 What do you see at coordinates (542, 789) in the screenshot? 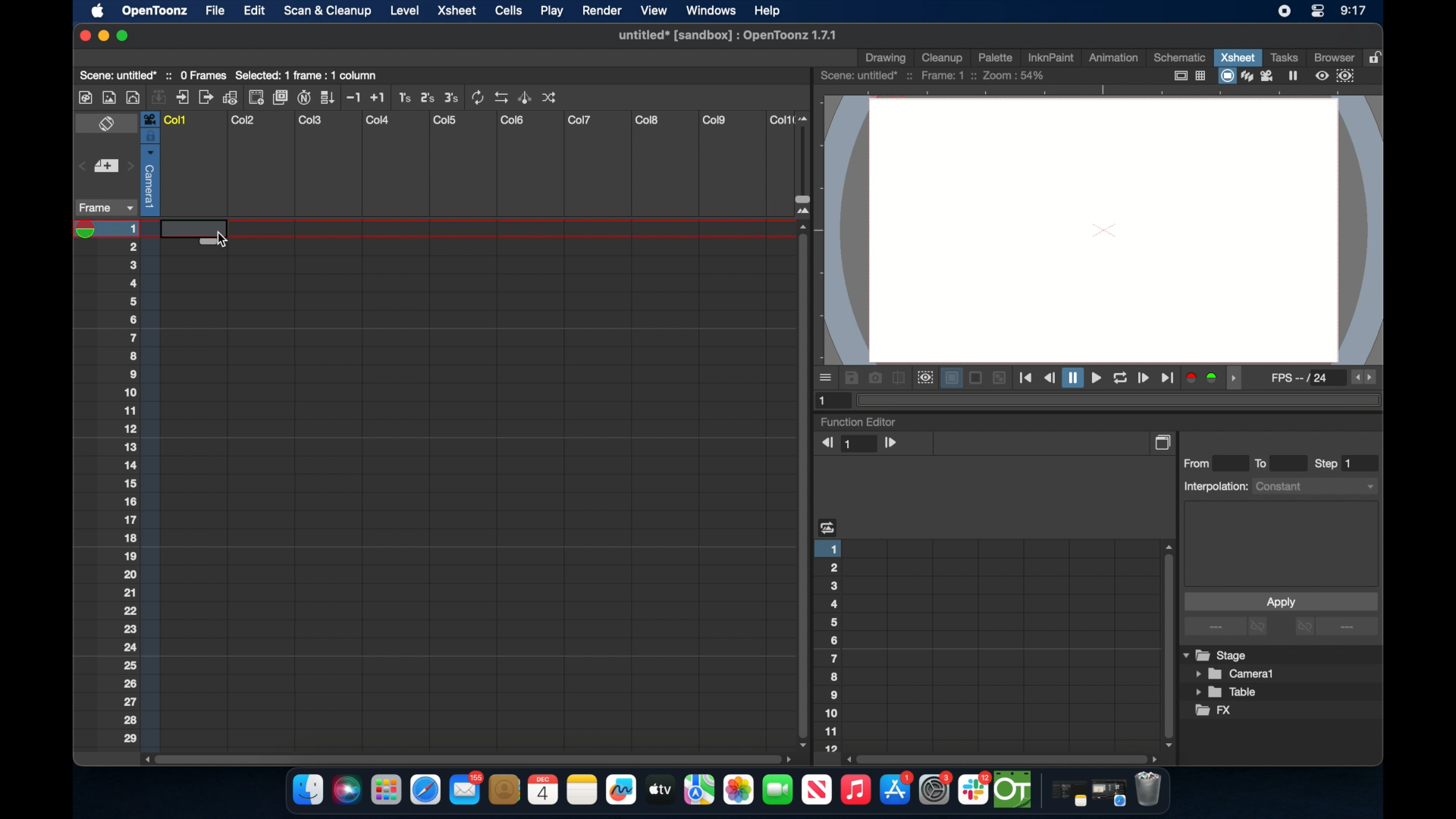
I see `calendar` at bounding box center [542, 789].